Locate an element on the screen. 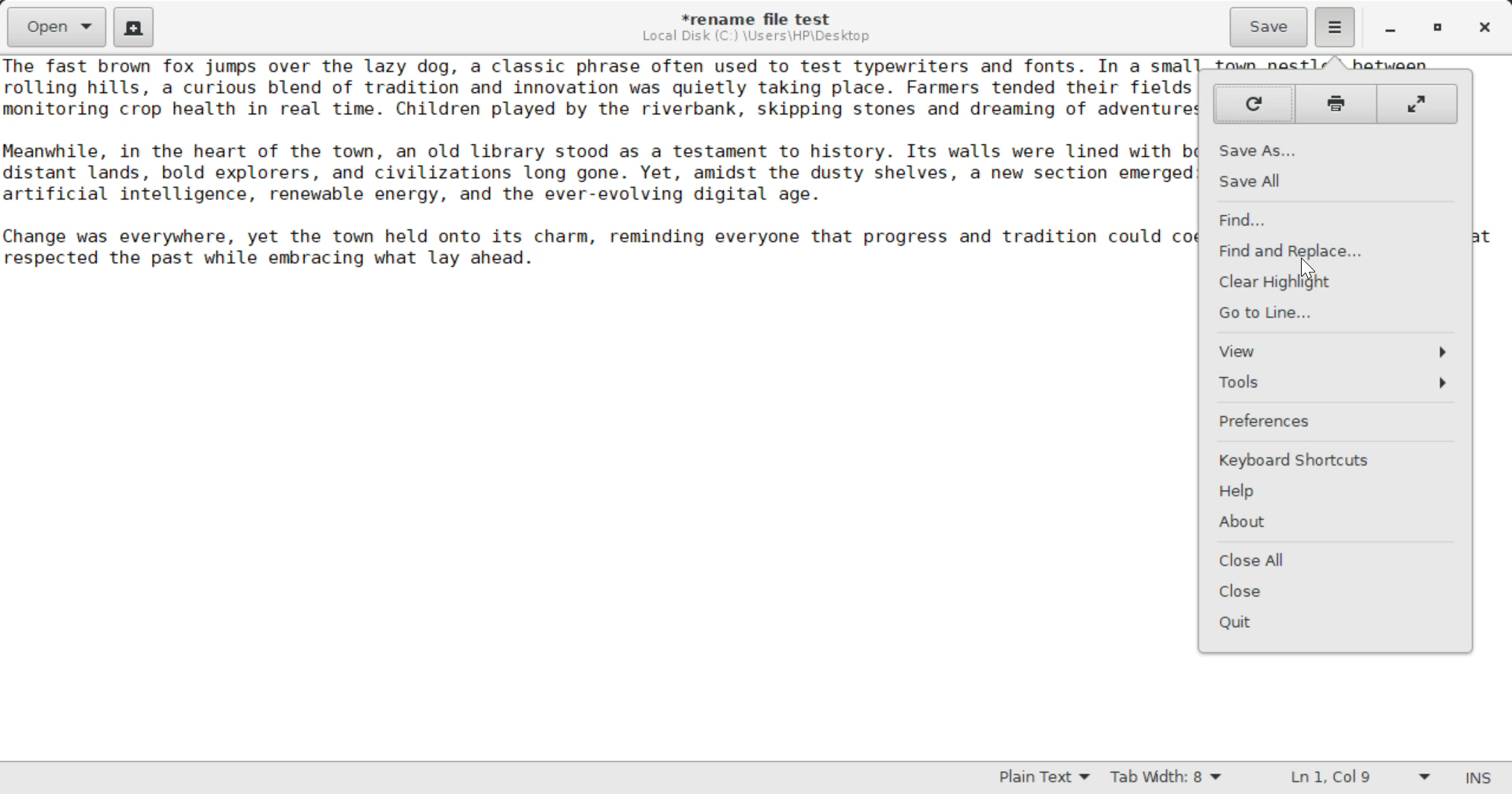 This screenshot has height=794, width=1512. Save File is located at coordinates (1271, 25).